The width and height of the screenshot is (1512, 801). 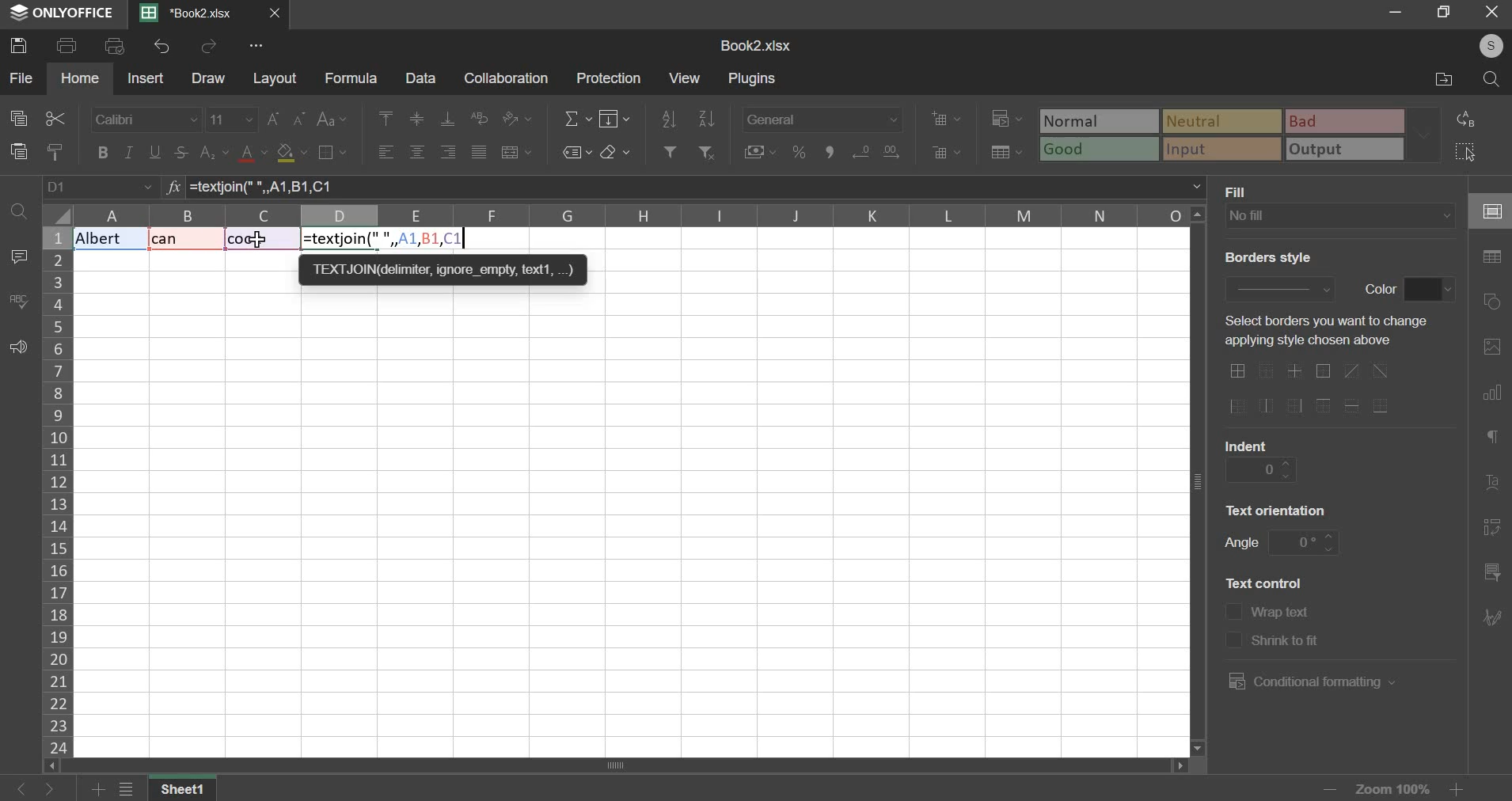 What do you see at coordinates (1266, 257) in the screenshot?
I see `text` at bounding box center [1266, 257].